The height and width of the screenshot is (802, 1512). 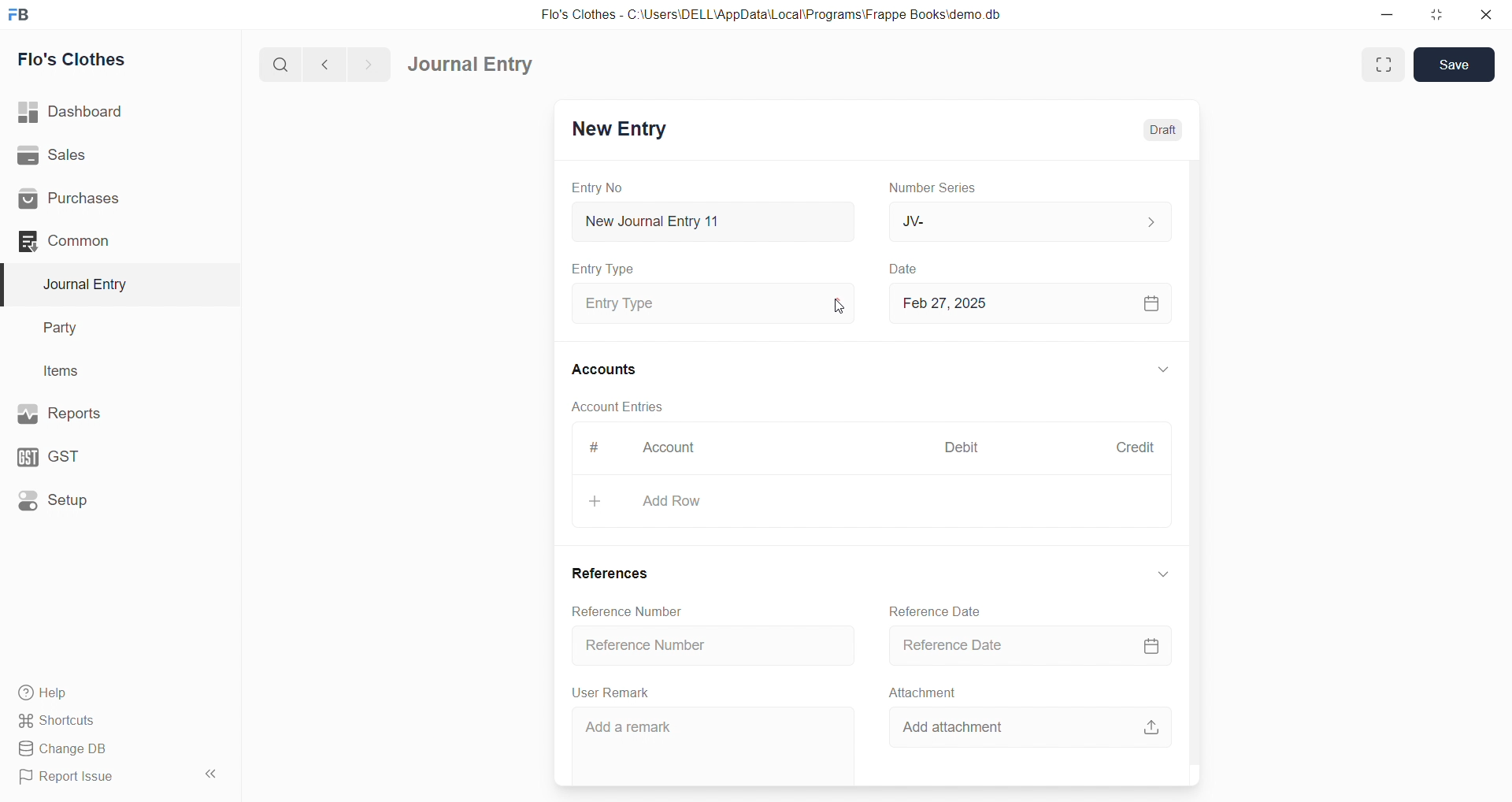 What do you see at coordinates (1455, 65) in the screenshot?
I see `Save` at bounding box center [1455, 65].